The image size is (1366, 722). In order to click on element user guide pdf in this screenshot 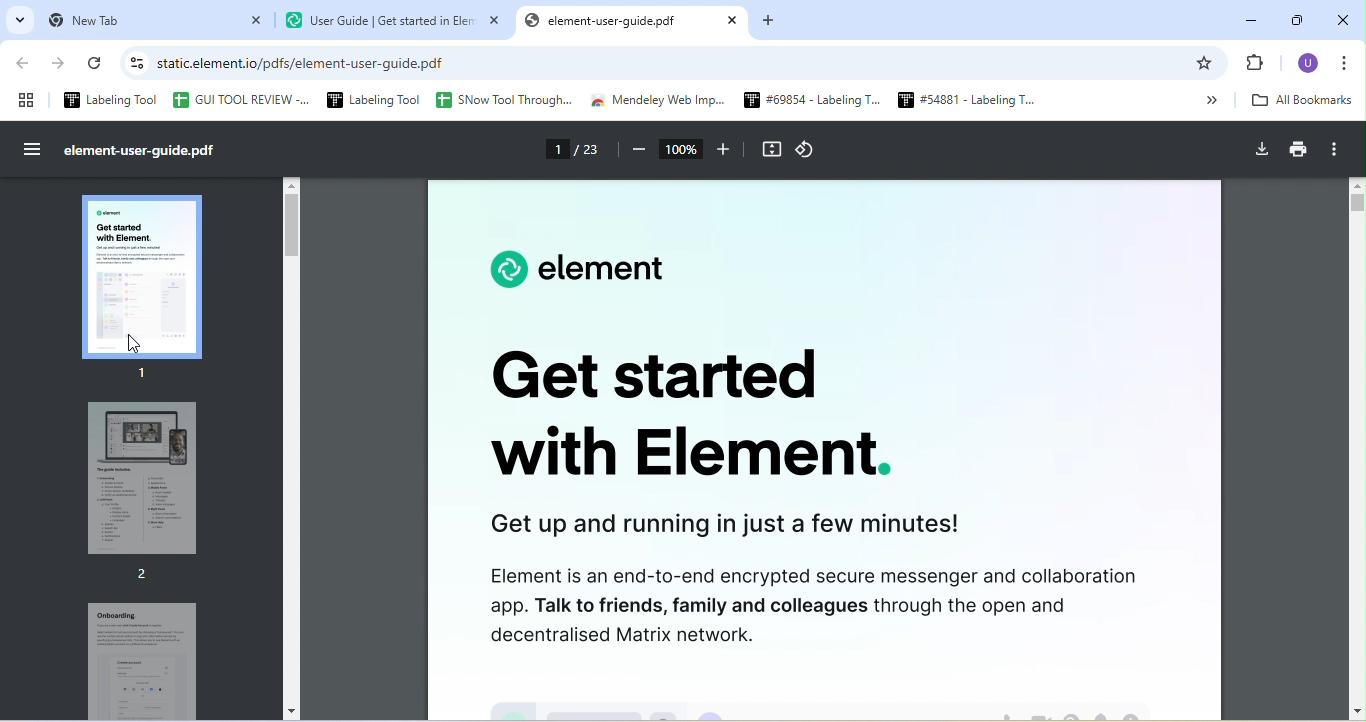, I will do `click(148, 152)`.